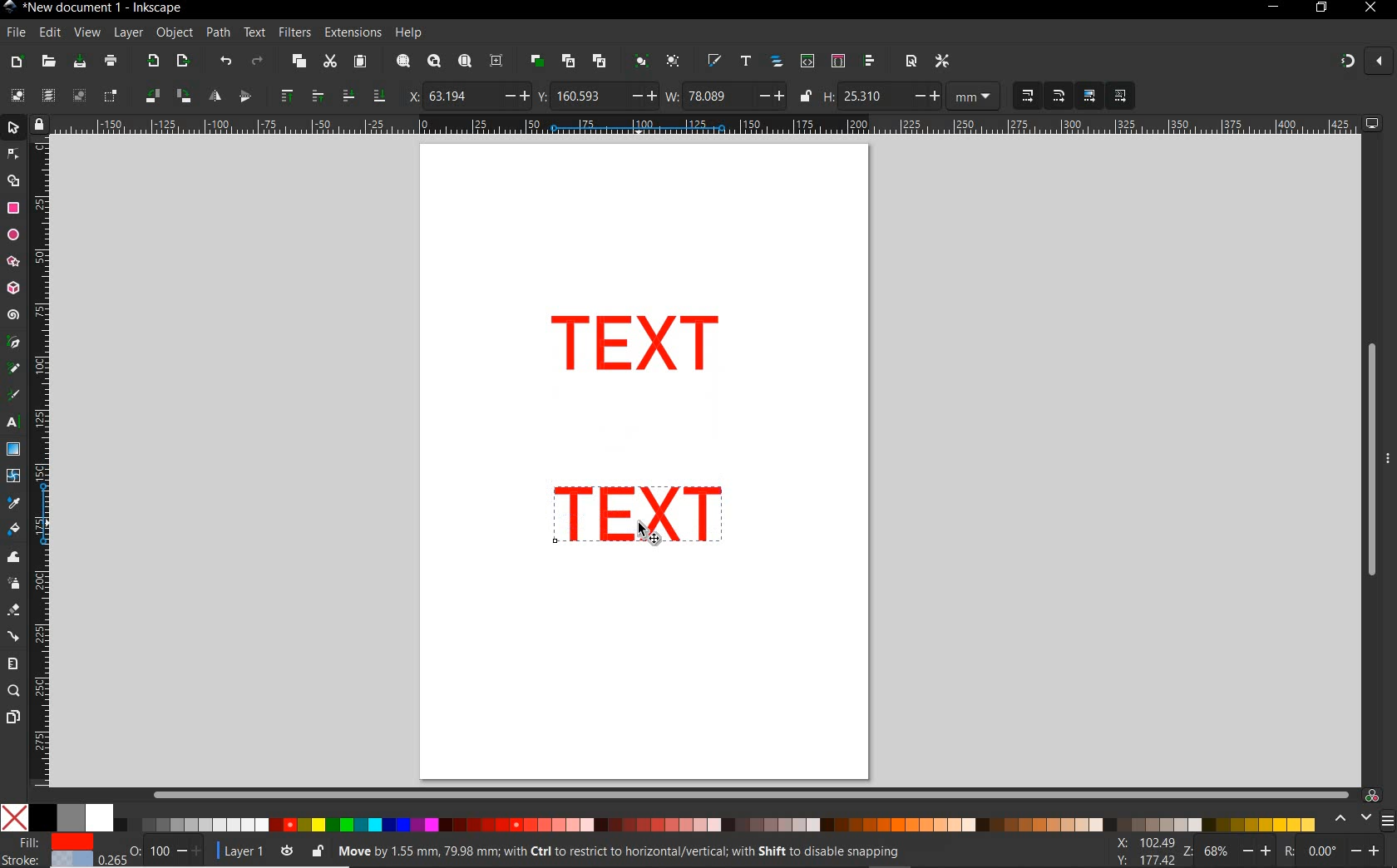  Describe the element at coordinates (12, 611) in the screenshot. I see `eraser tool` at that location.